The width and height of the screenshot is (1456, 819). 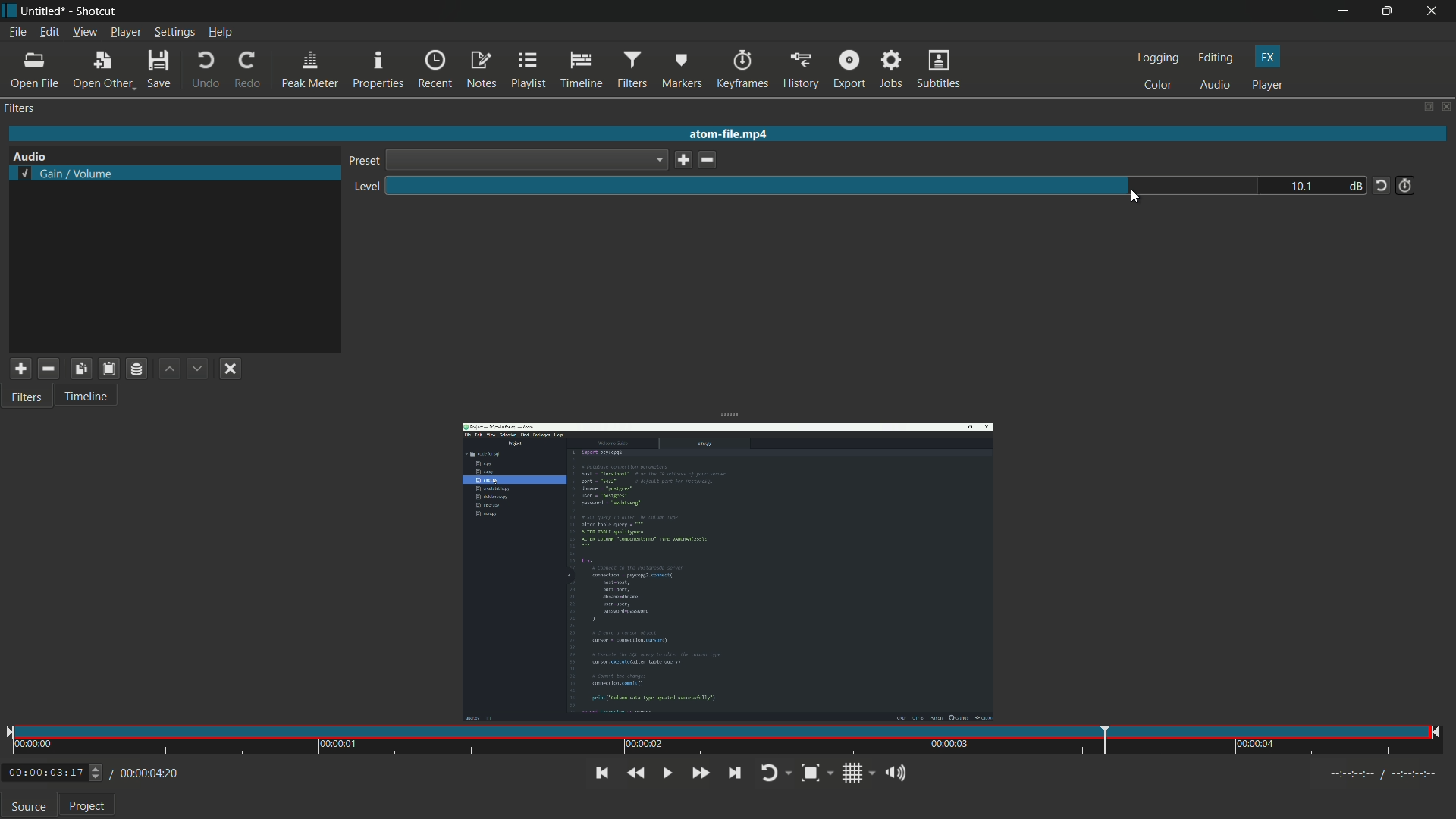 What do you see at coordinates (941, 71) in the screenshot?
I see `subtitles` at bounding box center [941, 71].